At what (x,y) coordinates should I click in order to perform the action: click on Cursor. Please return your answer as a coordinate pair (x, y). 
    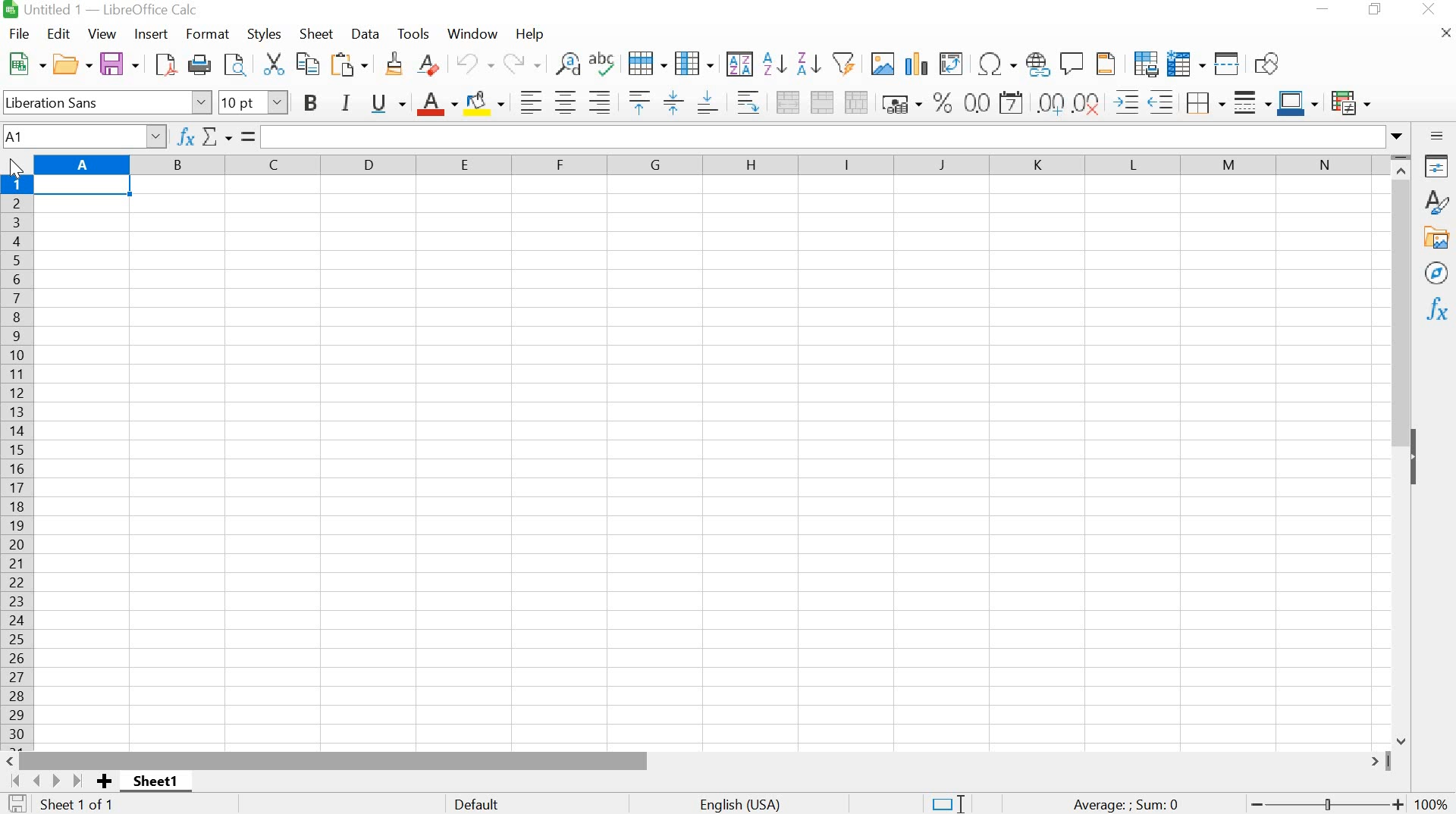
    Looking at the image, I should click on (13, 165).